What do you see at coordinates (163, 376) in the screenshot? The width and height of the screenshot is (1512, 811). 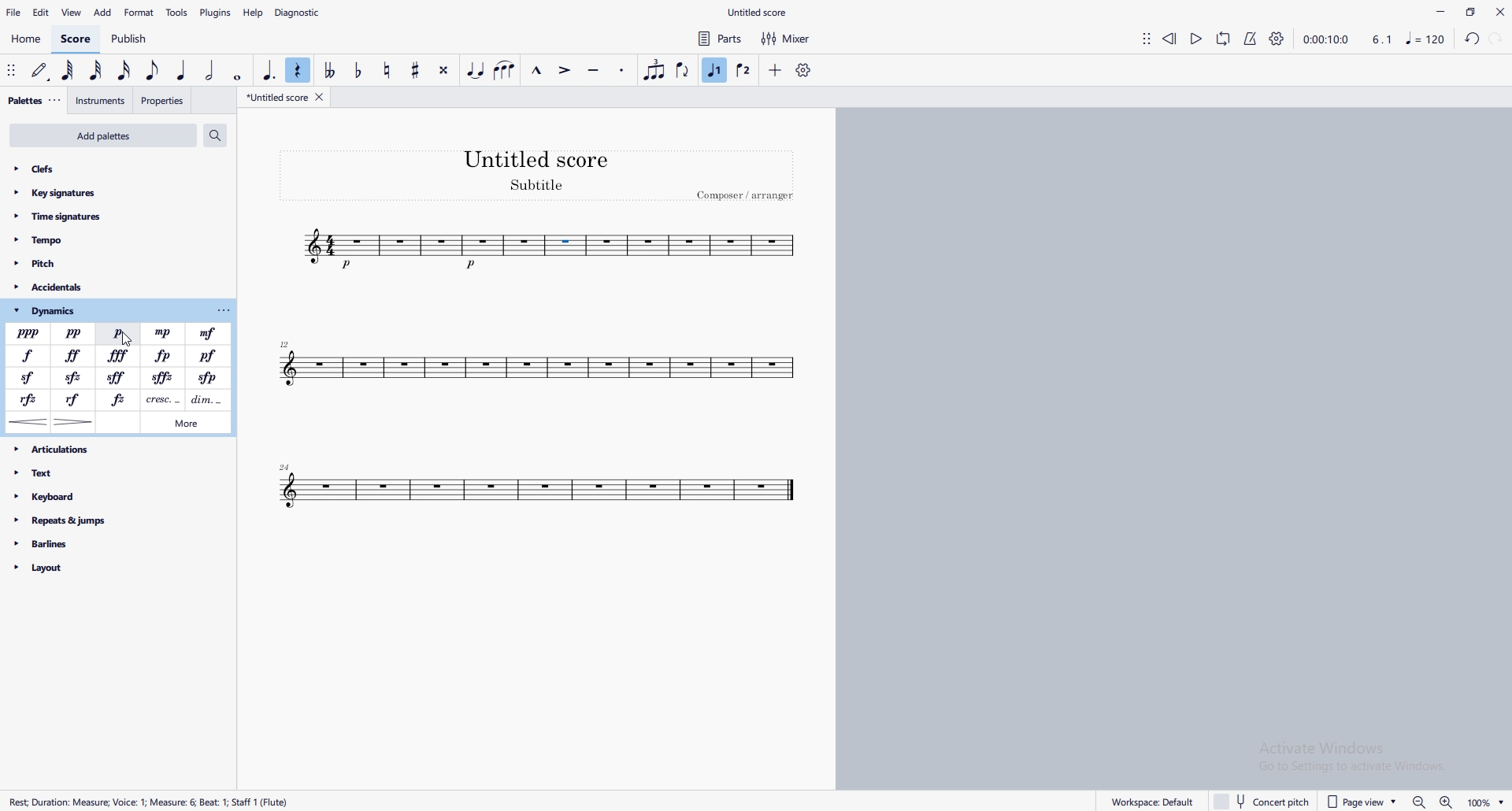 I see `sforzato` at bounding box center [163, 376].